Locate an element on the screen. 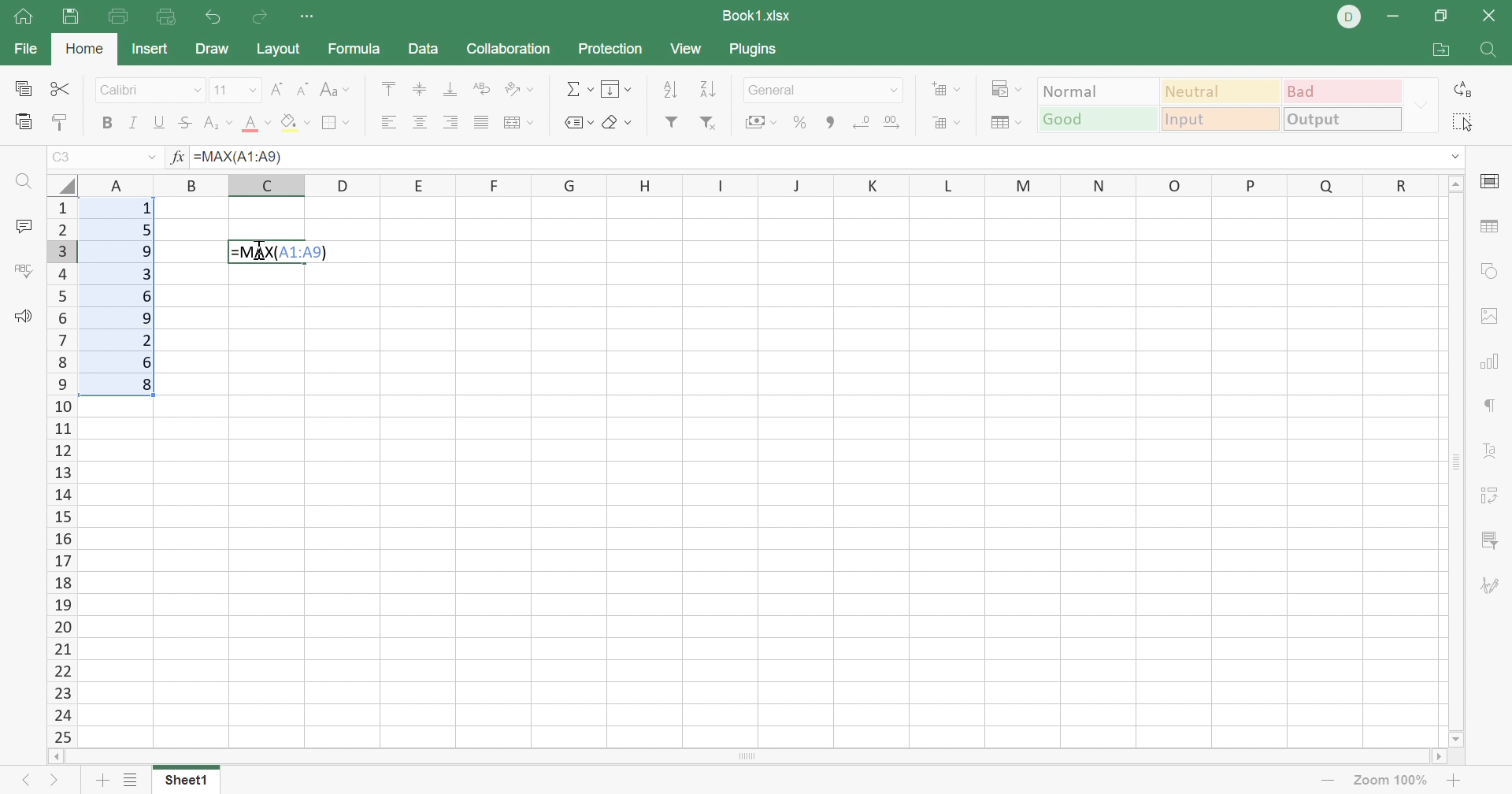 Image resolution: width=1512 pixels, height=794 pixels. Percent style is located at coordinates (799, 122).